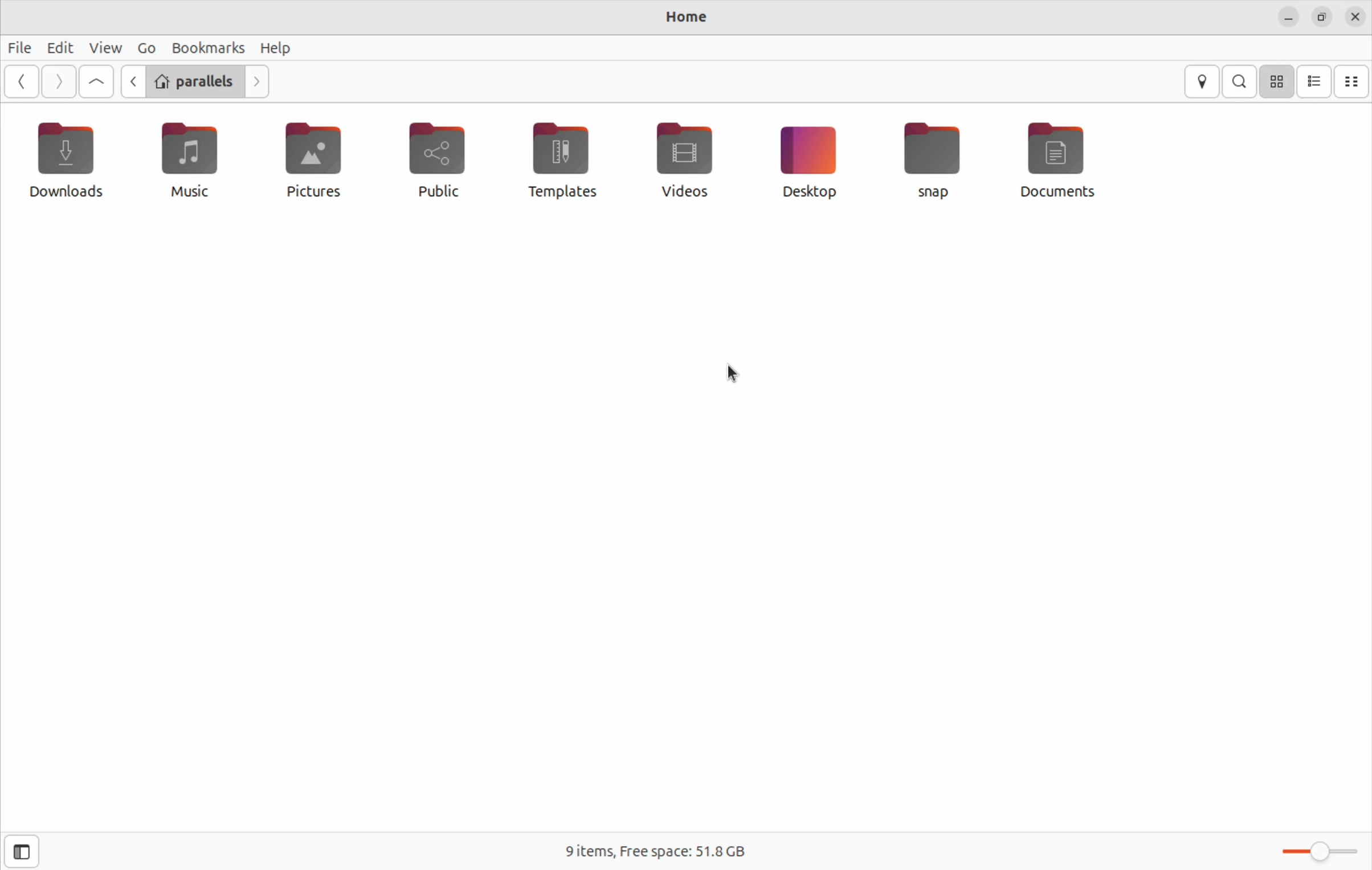 The image size is (1372, 870). What do you see at coordinates (1203, 82) in the screenshot?
I see `location` at bounding box center [1203, 82].